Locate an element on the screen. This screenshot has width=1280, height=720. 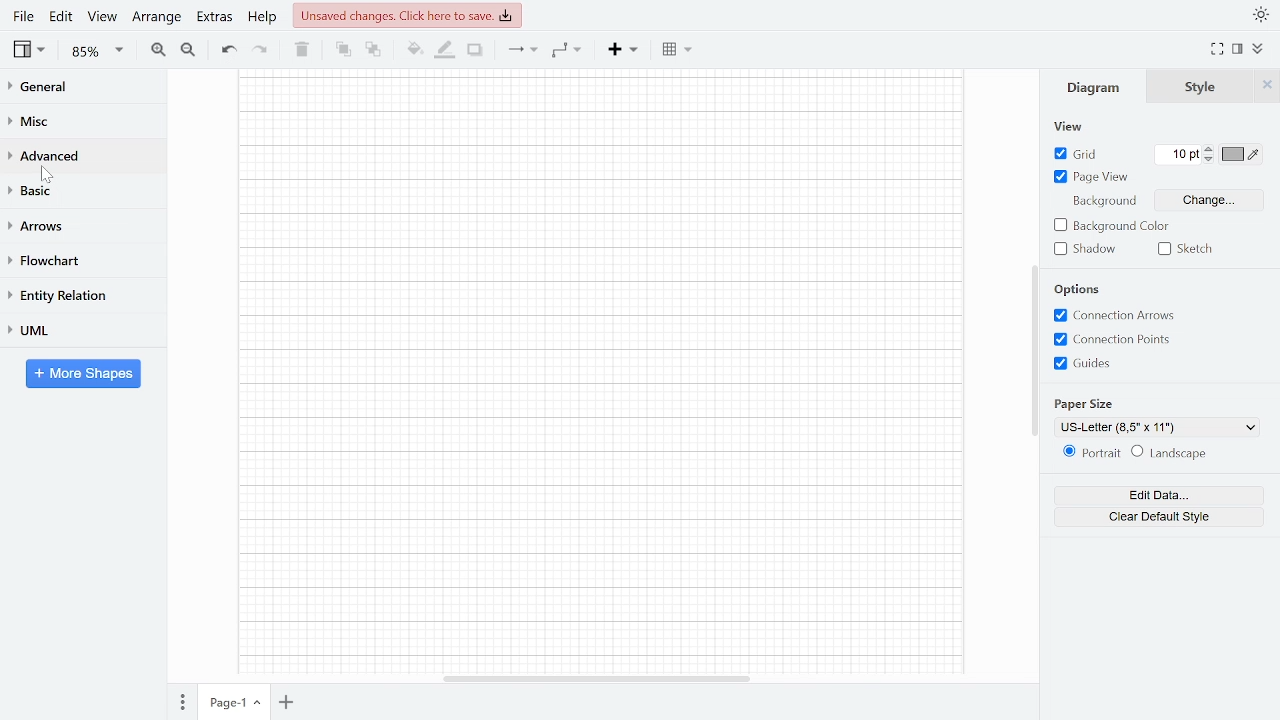
Basic is located at coordinates (80, 187).